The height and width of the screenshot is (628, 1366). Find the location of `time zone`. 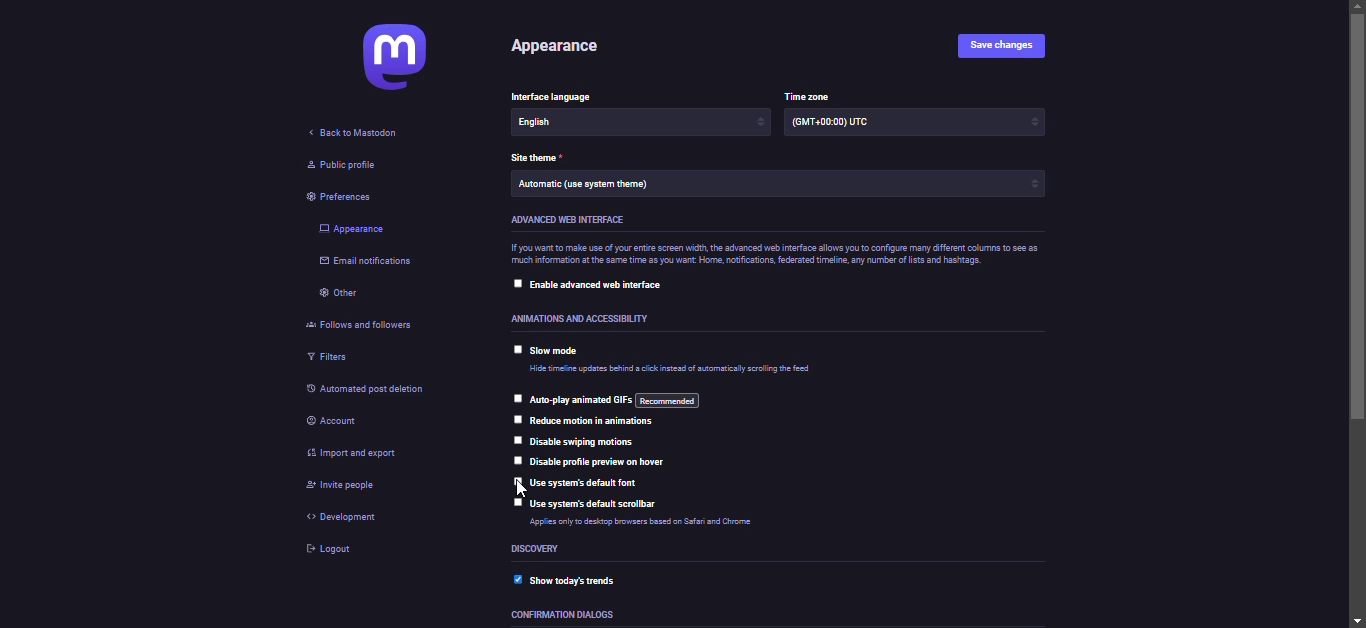

time zone is located at coordinates (807, 94).